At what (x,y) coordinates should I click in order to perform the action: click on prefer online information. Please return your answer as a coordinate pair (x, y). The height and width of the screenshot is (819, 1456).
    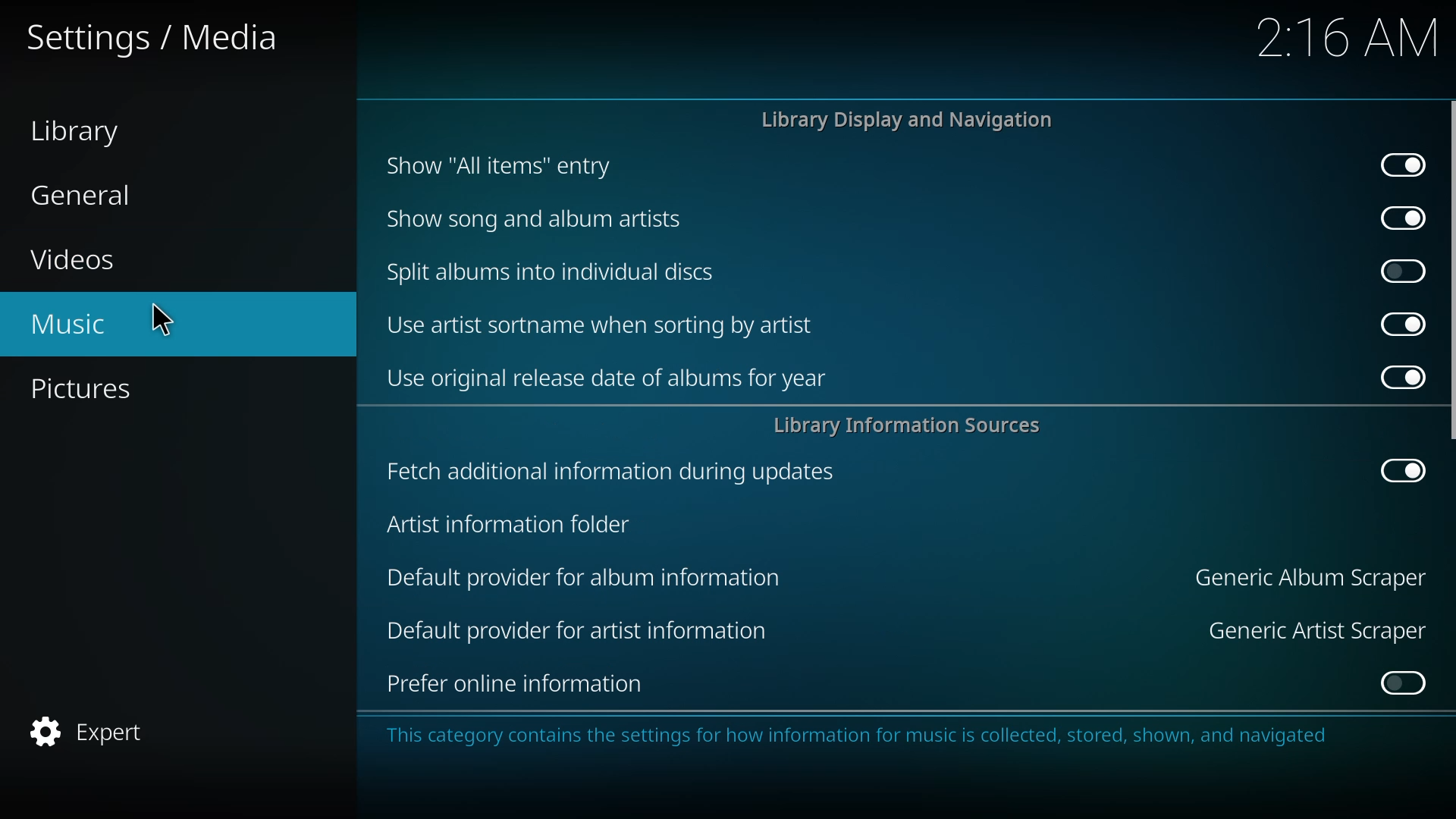
    Looking at the image, I should click on (513, 686).